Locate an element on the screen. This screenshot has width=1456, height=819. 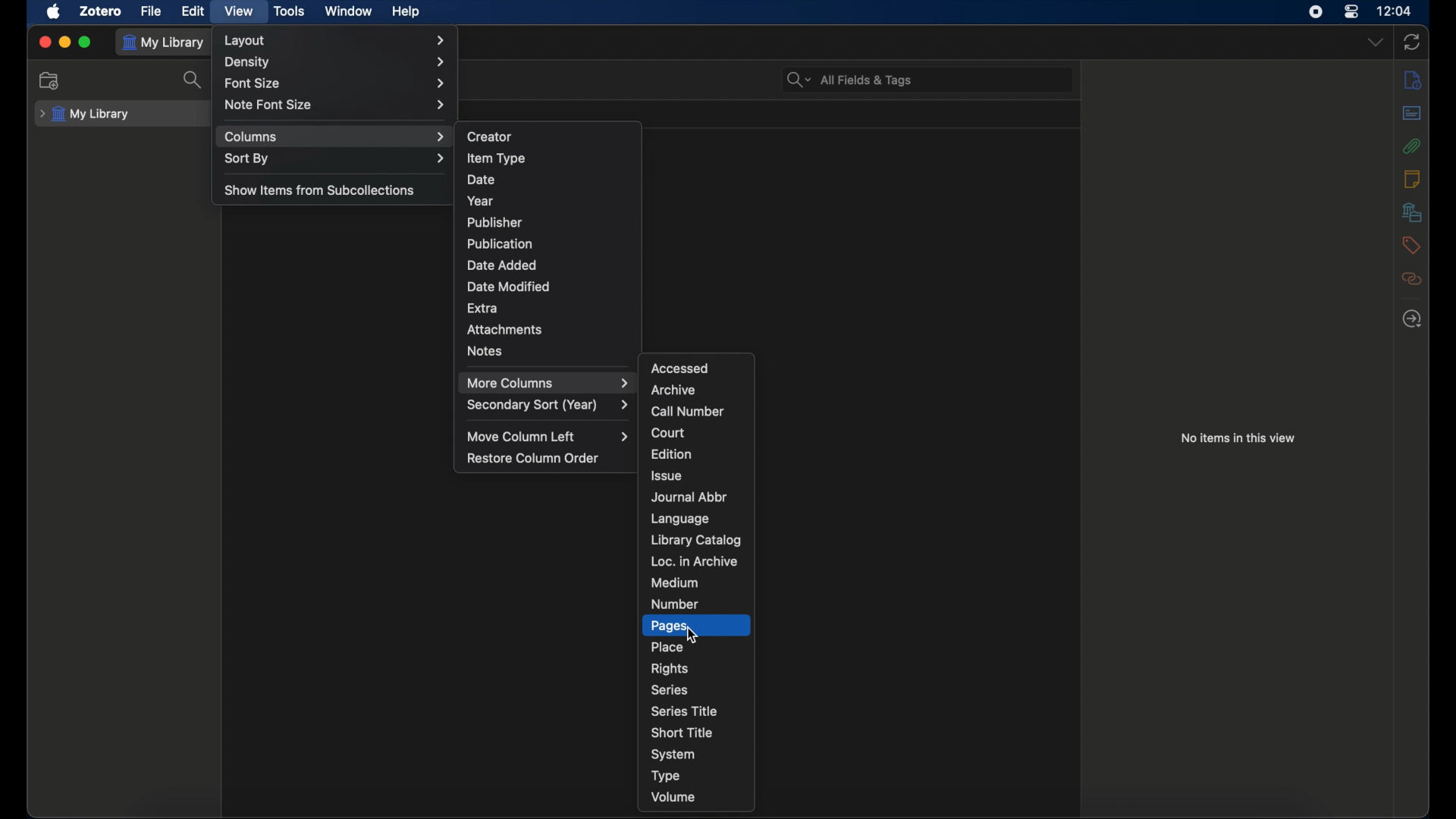
help is located at coordinates (406, 11).